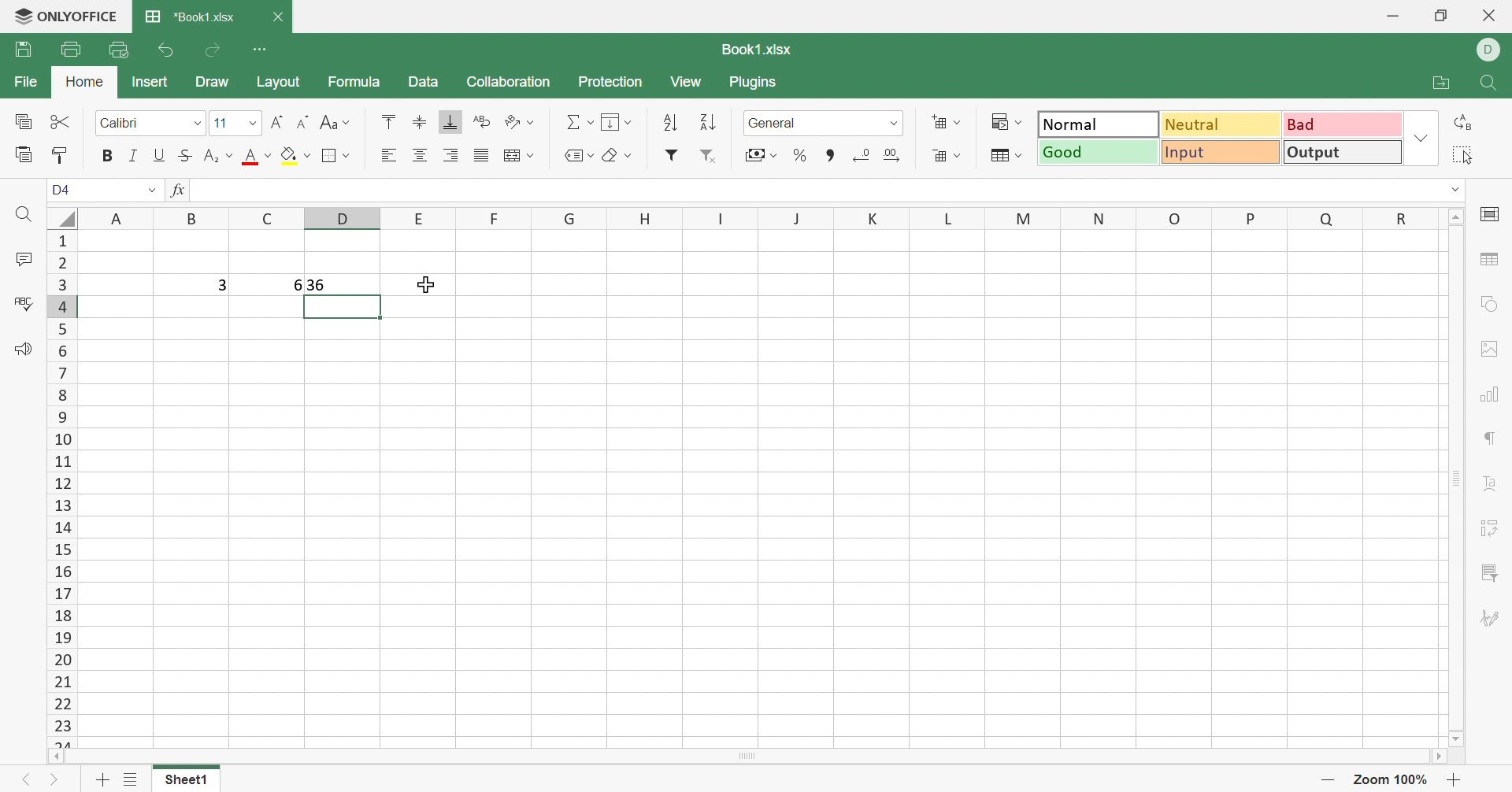 This screenshot has height=792, width=1512. I want to click on 6, so click(294, 285).